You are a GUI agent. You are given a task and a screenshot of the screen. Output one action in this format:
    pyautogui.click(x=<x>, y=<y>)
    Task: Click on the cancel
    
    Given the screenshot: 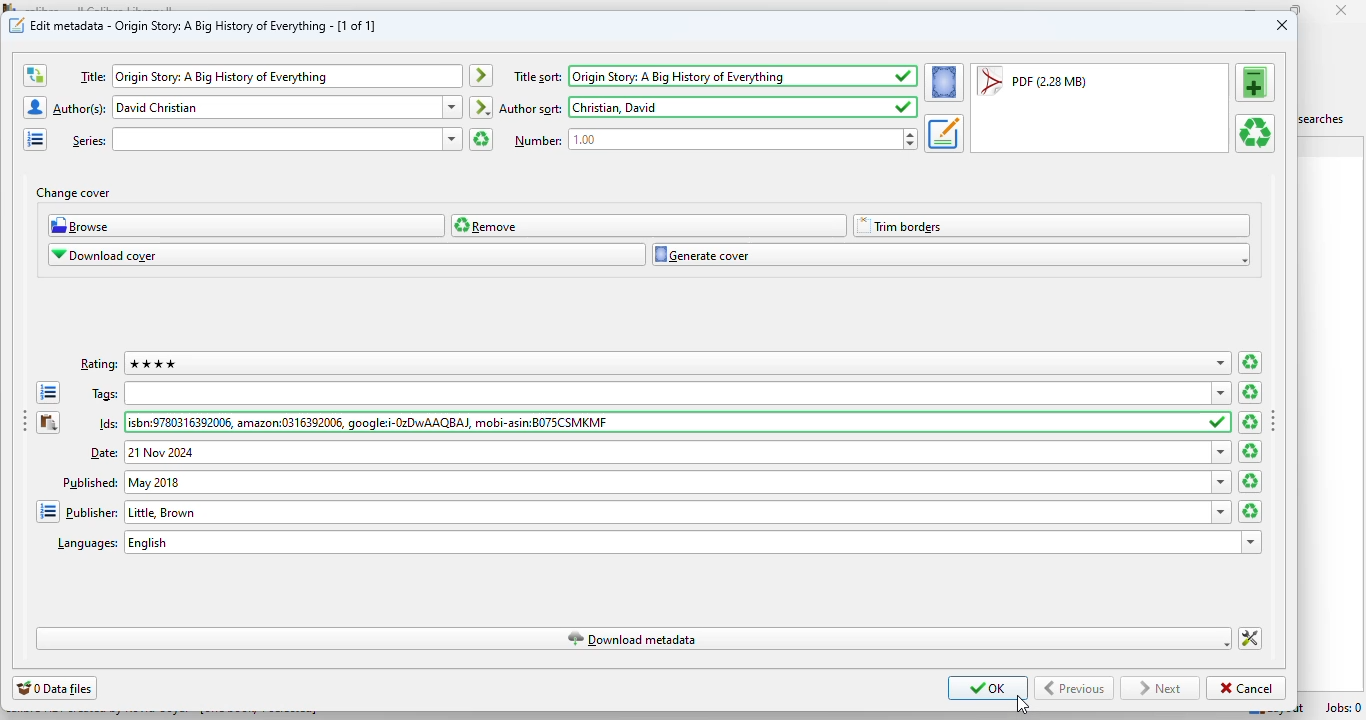 What is the action you would take?
    pyautogui.click(x=1247, y=688)
    